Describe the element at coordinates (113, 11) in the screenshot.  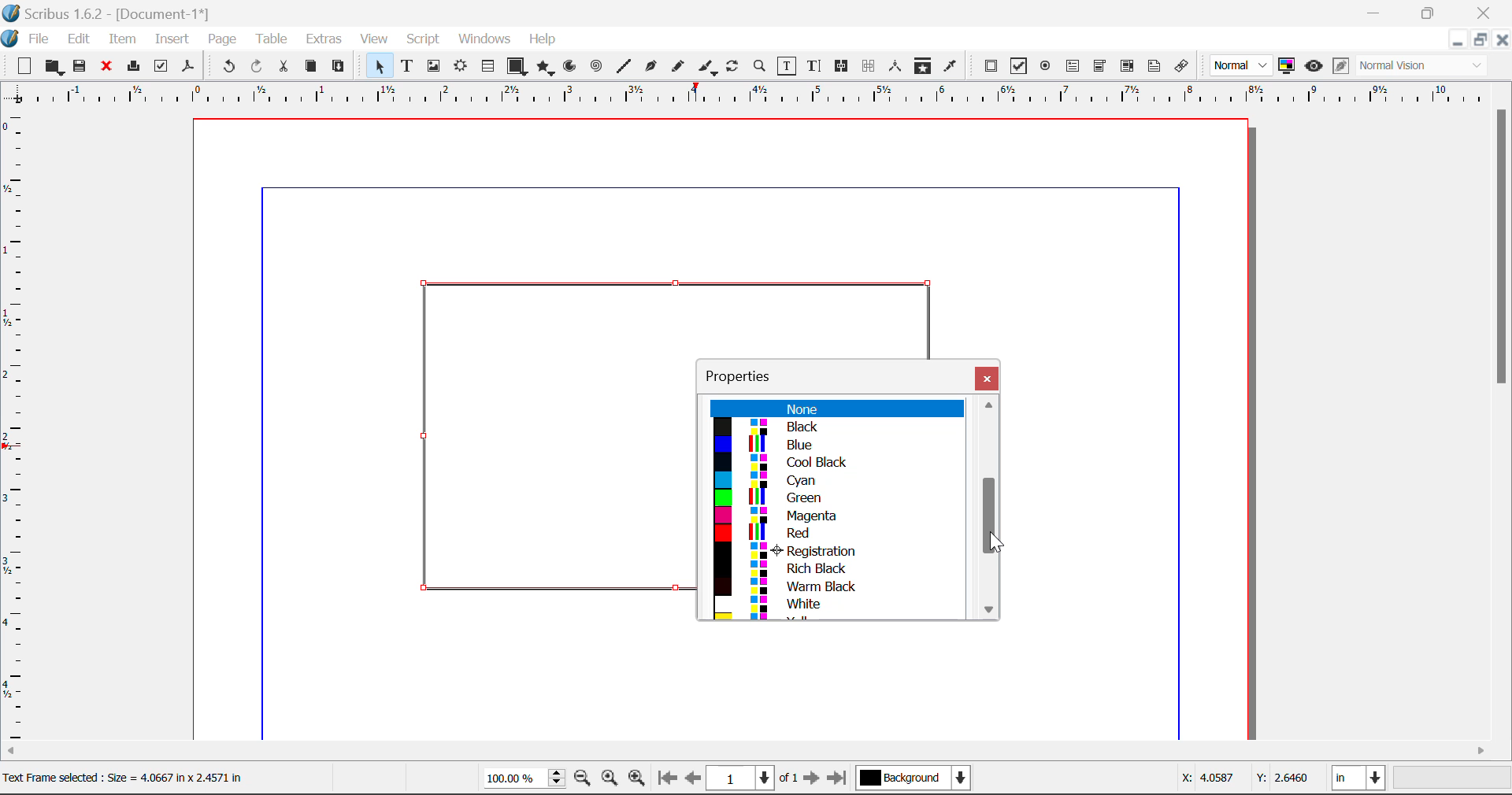
I see `Scribus 1.62 - [Document-1*]` at that location.